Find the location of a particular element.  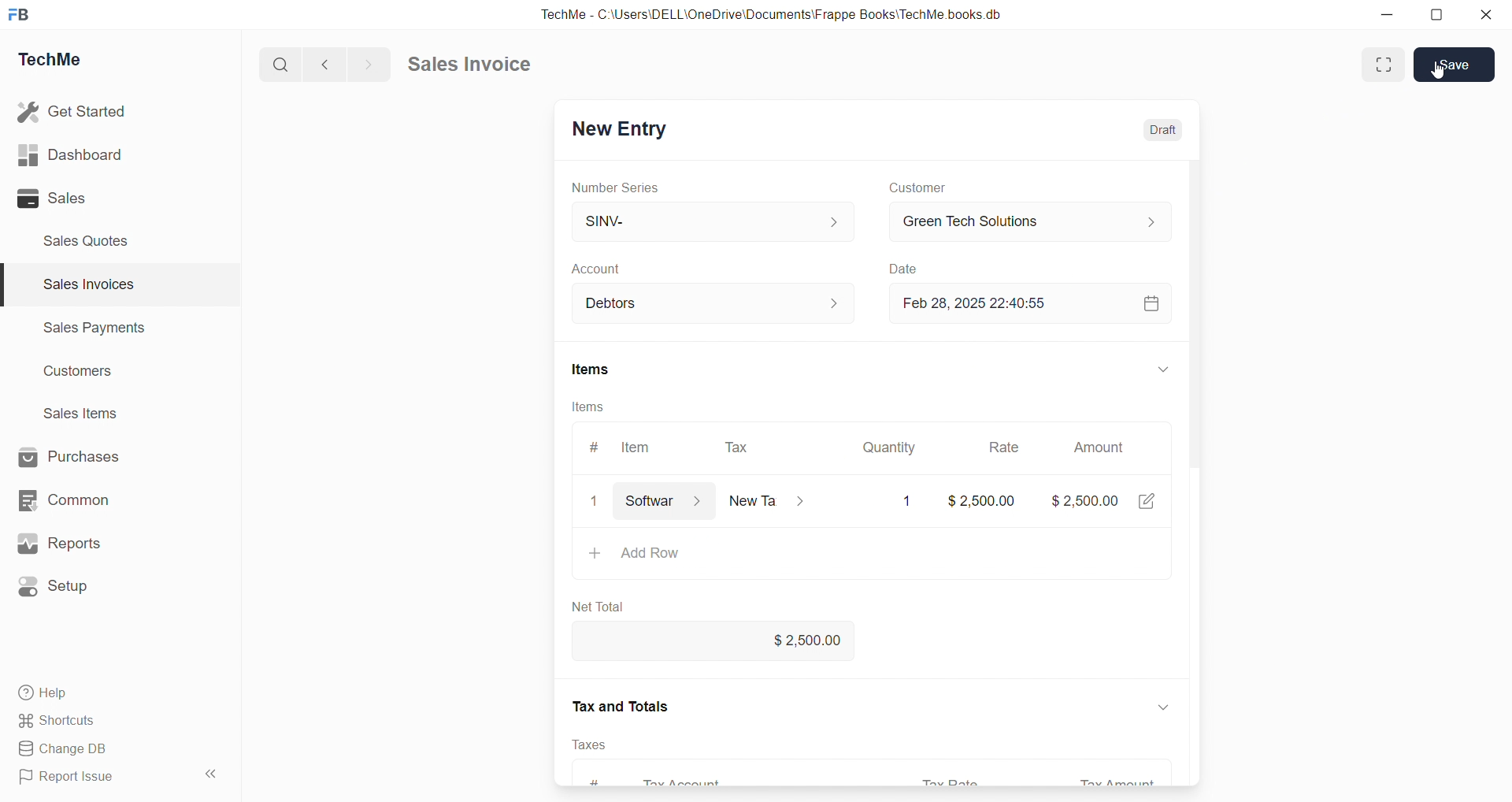

down is located at coordinates (1164, 707).